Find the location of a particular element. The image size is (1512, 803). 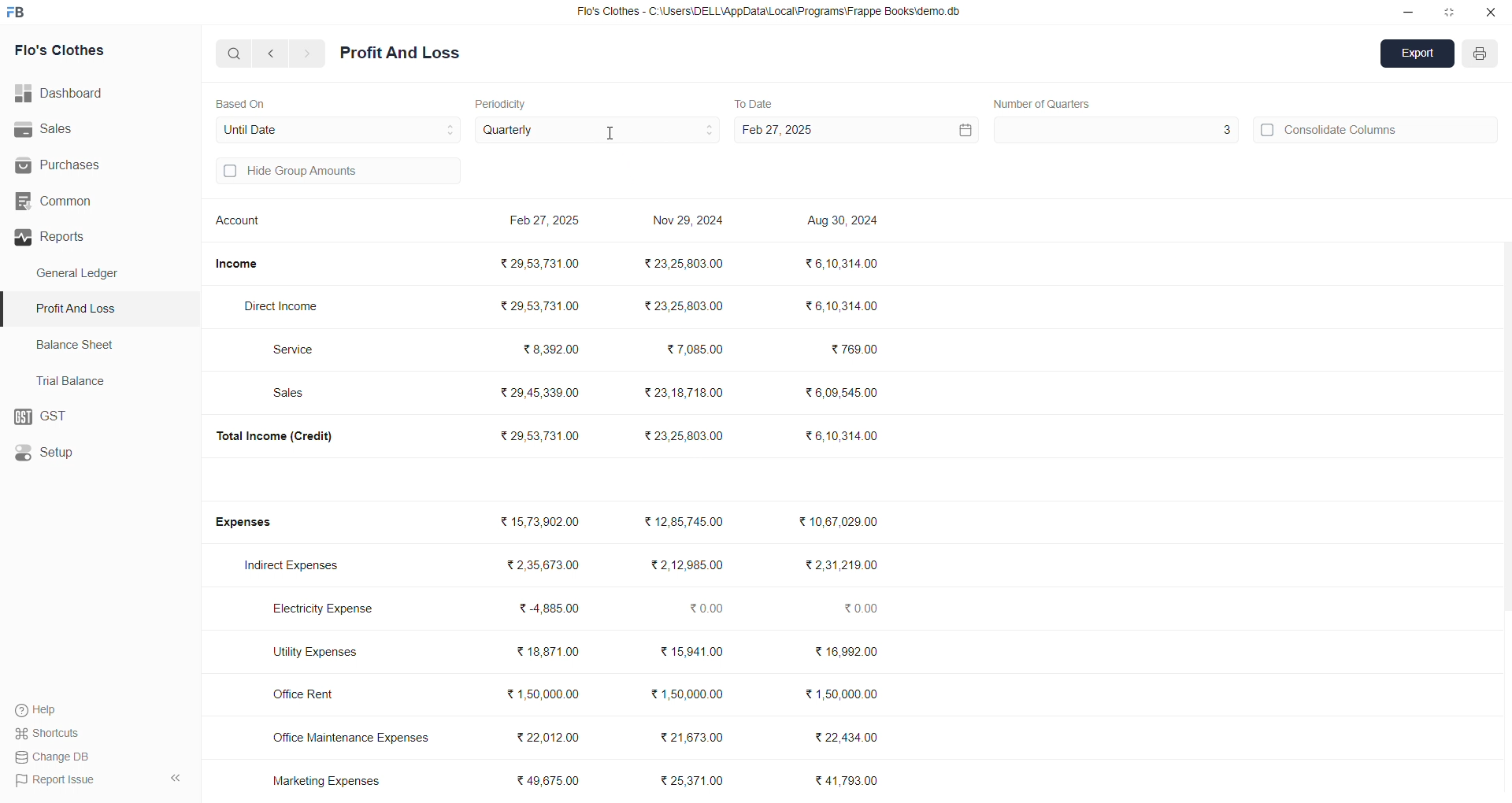

Shortcuts is located at coordinates (52, 732).